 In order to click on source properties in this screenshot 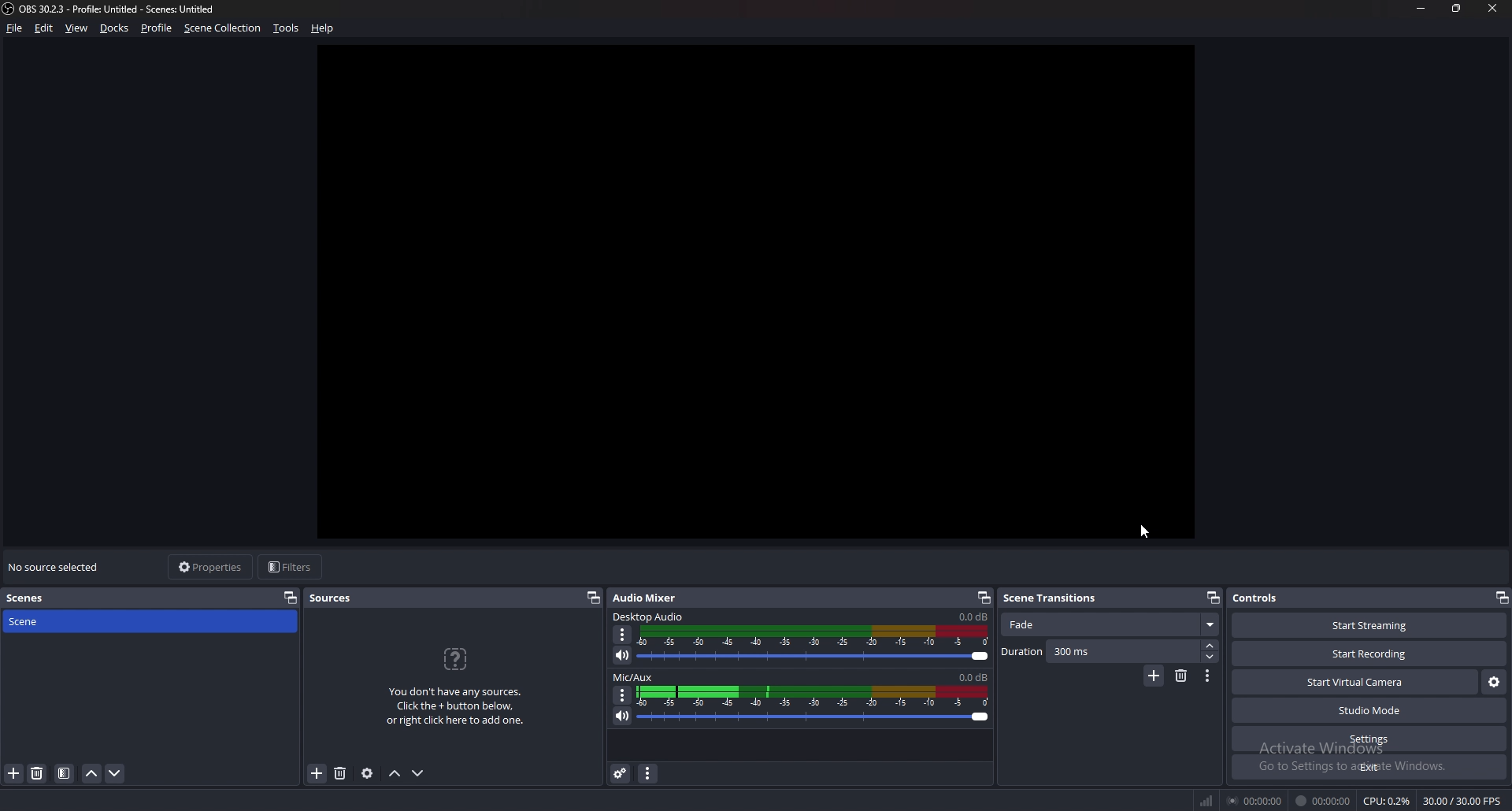, I will do `click(366, 774)`.